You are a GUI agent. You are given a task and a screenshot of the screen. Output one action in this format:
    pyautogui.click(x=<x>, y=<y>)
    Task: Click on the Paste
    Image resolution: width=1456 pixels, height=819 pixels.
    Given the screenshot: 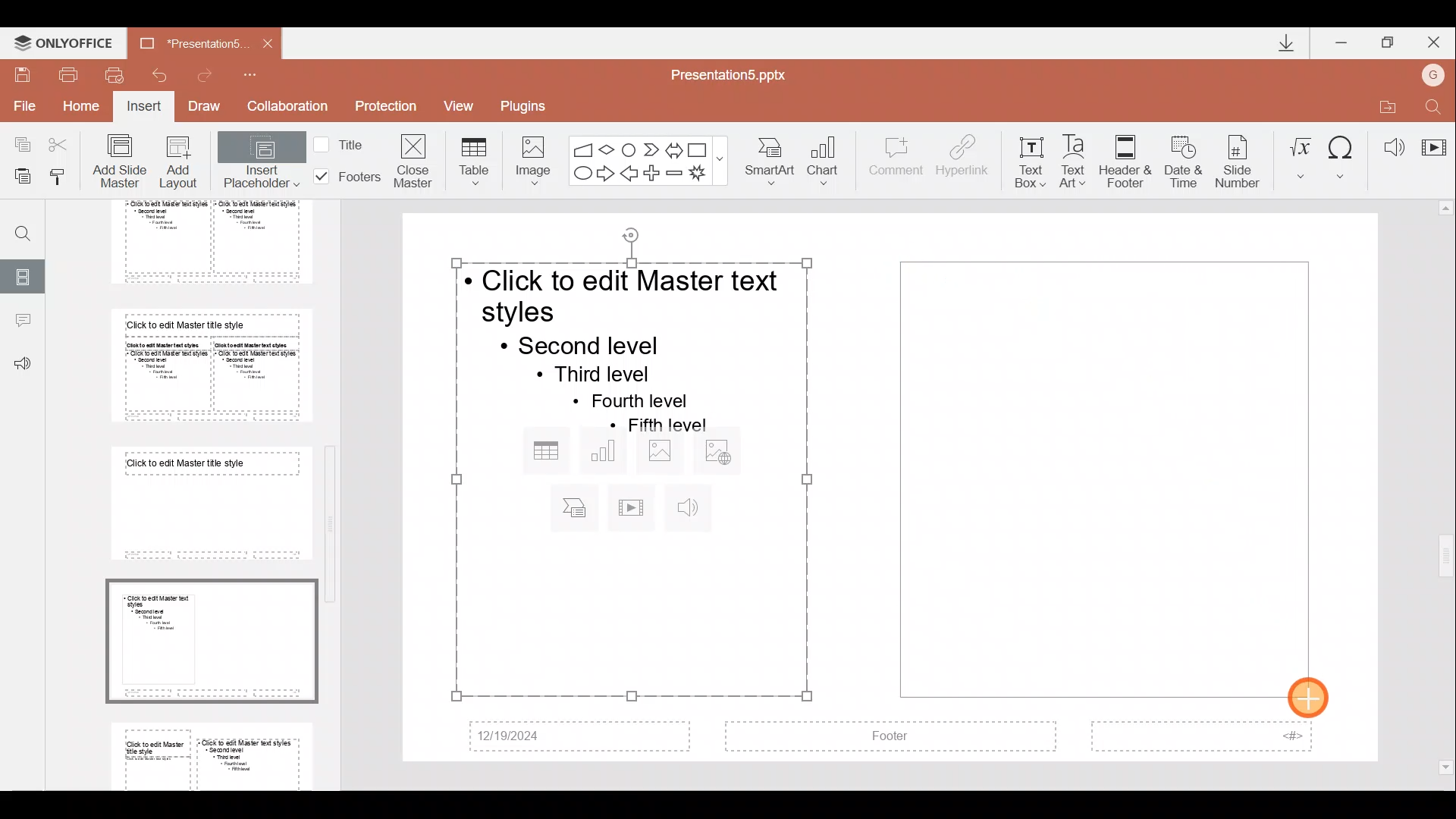 What is the action you would take?
    pyautogui.click(x=22, y=178)
    